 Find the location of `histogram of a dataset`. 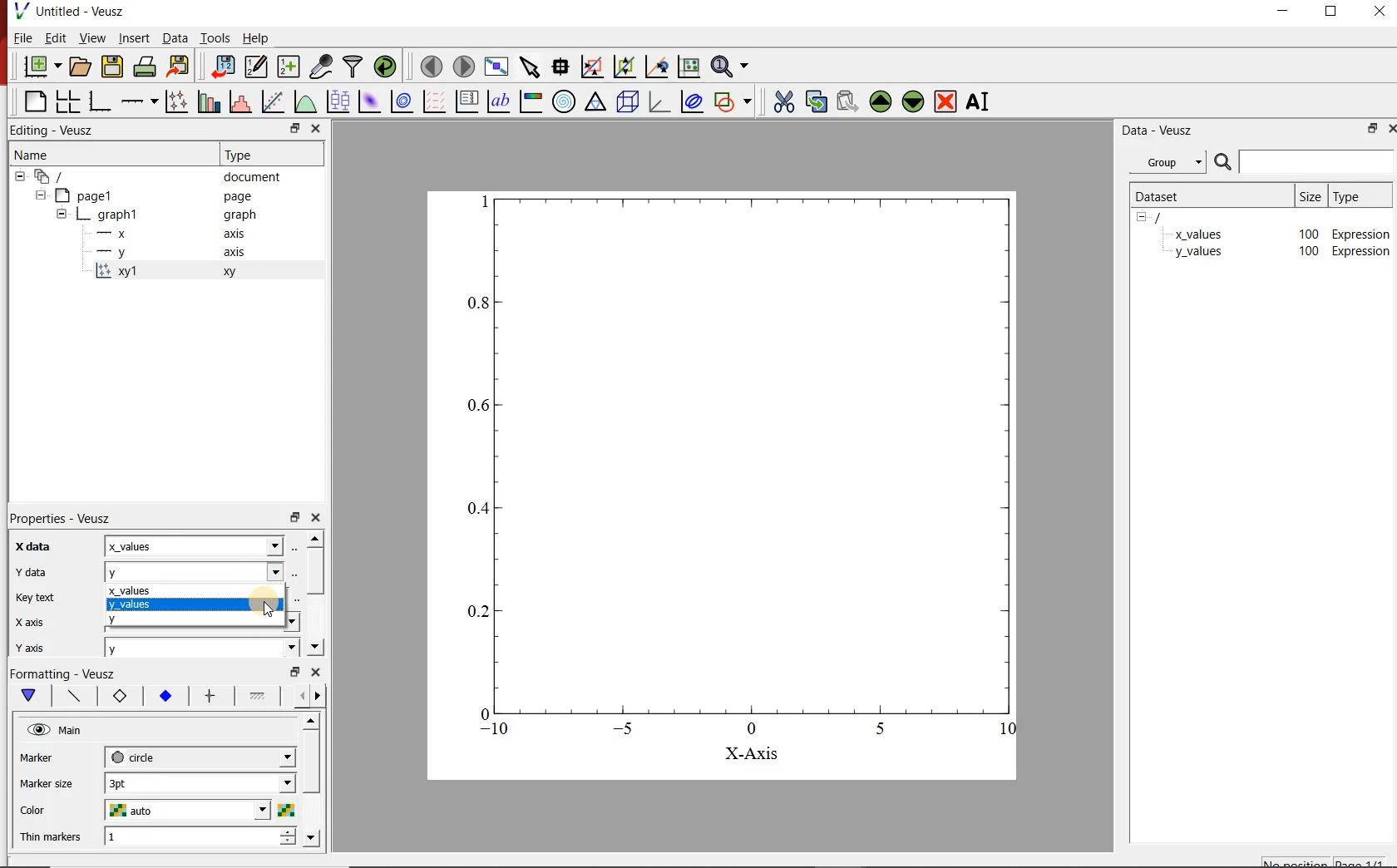

histogram of a dataset is located at coordinates (241, 102).